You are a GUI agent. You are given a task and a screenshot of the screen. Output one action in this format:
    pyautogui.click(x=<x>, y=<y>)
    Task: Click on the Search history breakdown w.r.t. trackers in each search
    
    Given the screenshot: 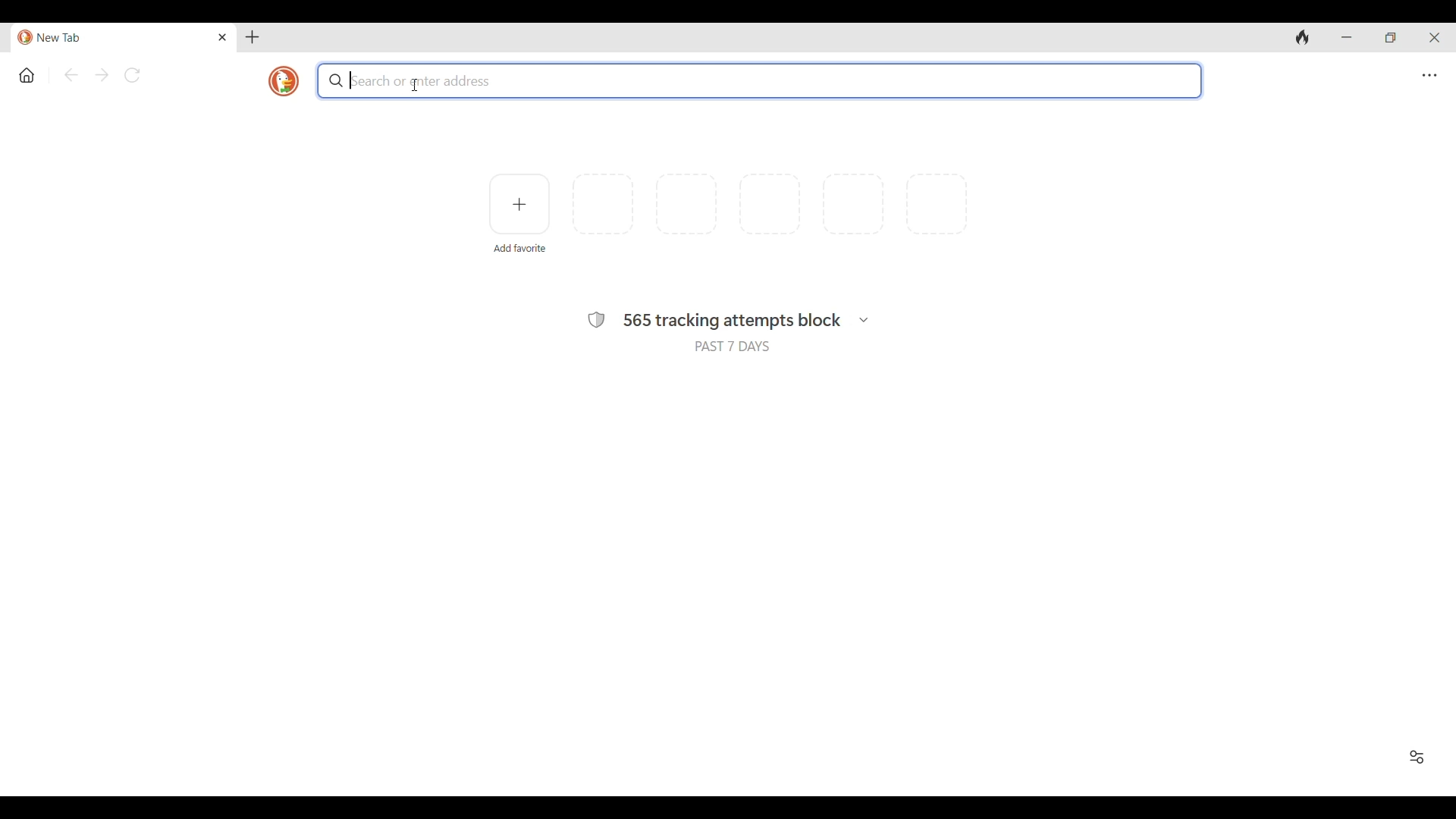 What is the action you would take?
    pyautogui.click(x=864, y=320)
    